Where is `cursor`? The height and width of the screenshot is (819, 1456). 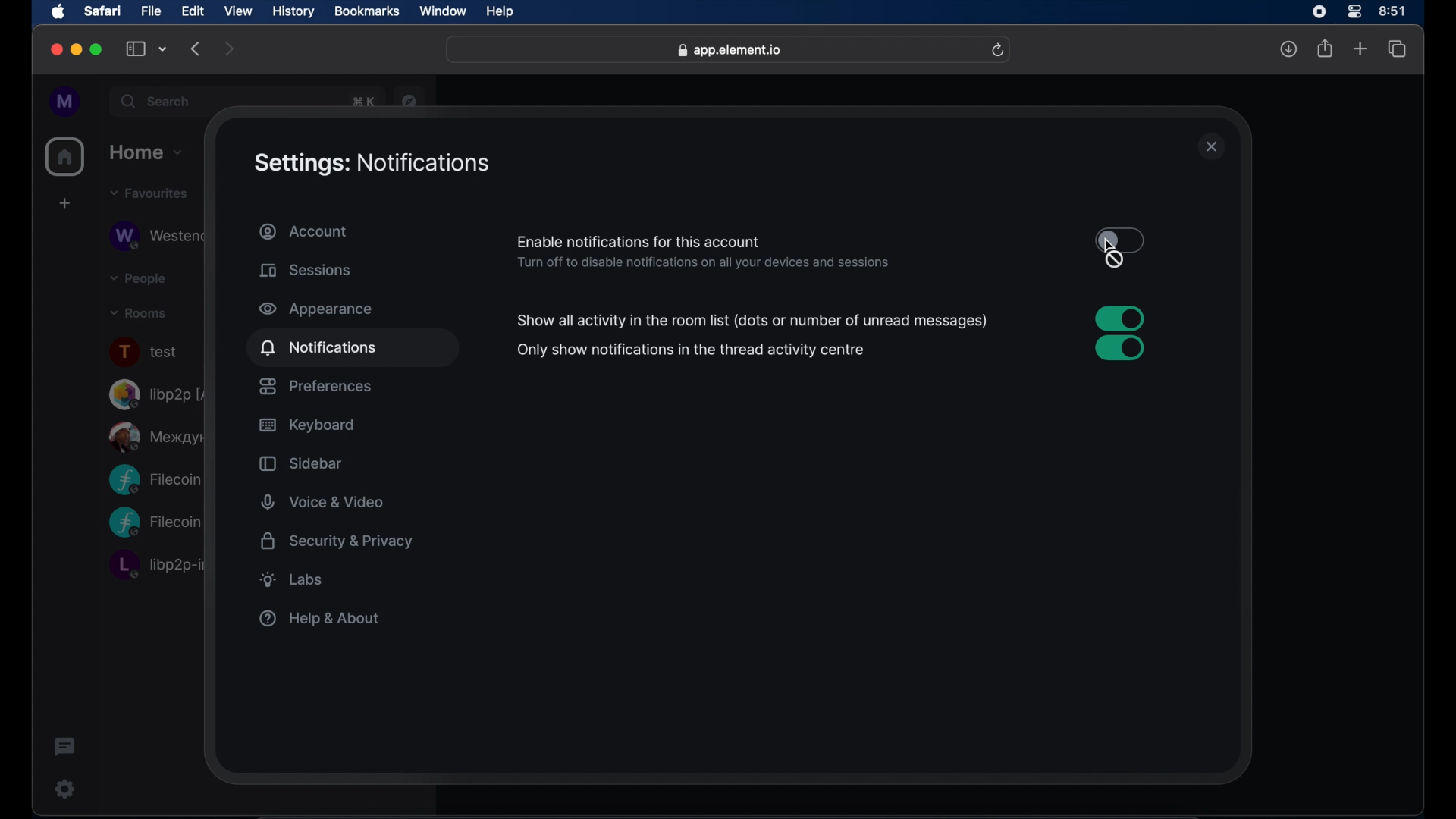 cursor is located at coordinates (1116, 254).